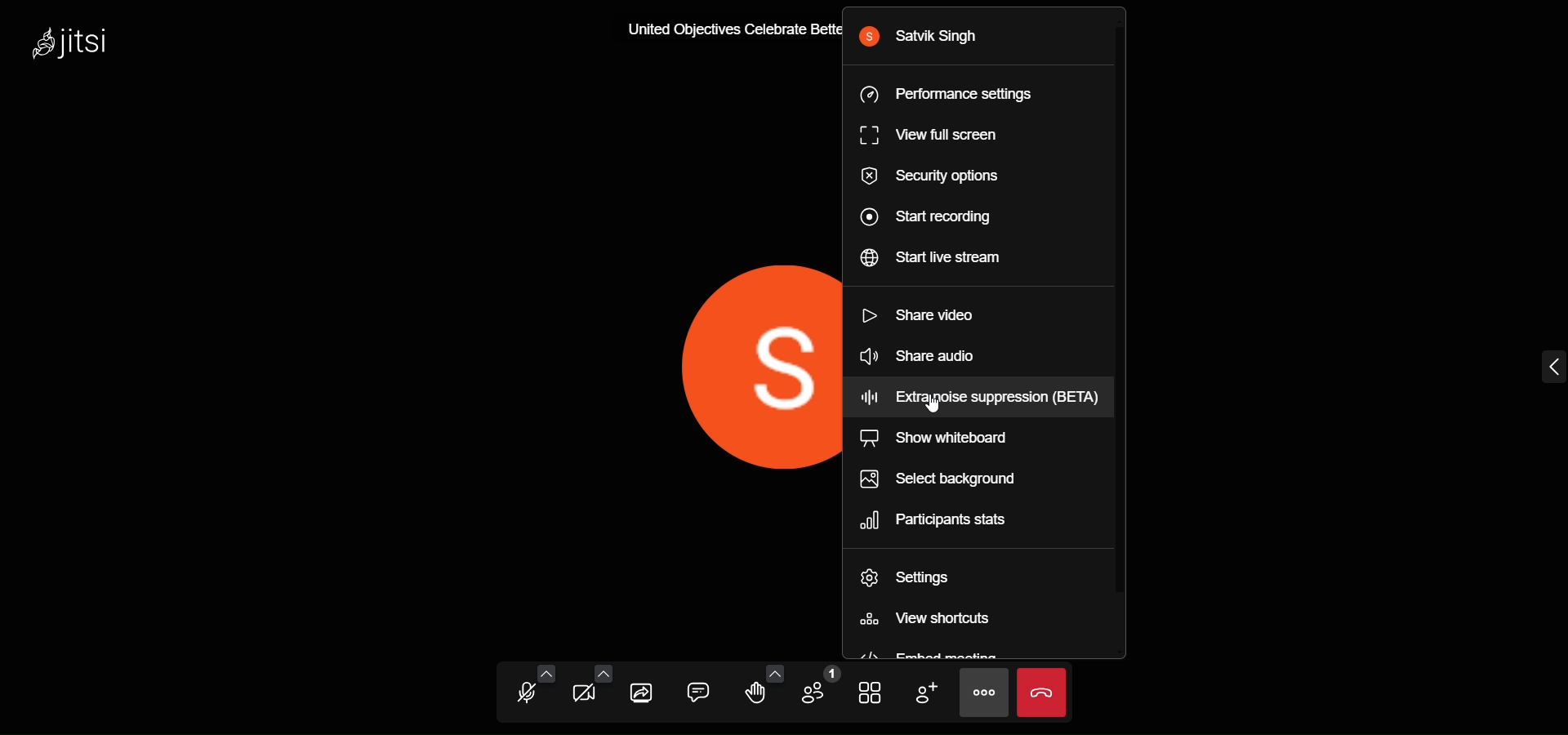  What do you see at coordinates (1044, 694) in the screenshot?
I see `leave the call` at bounding box center [1044, 694].